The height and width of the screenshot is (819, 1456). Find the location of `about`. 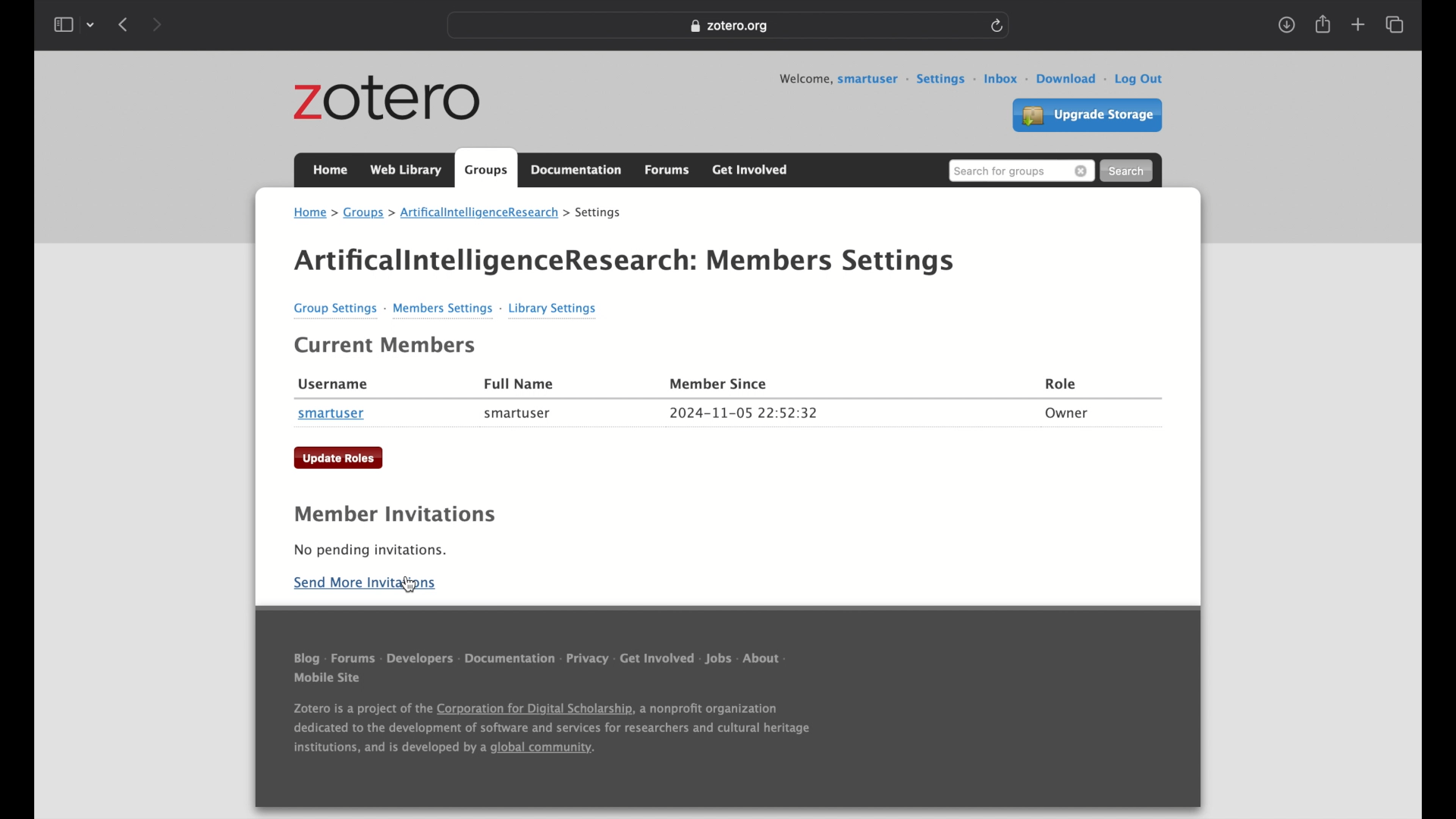

about is located at coordinates (765, 659).